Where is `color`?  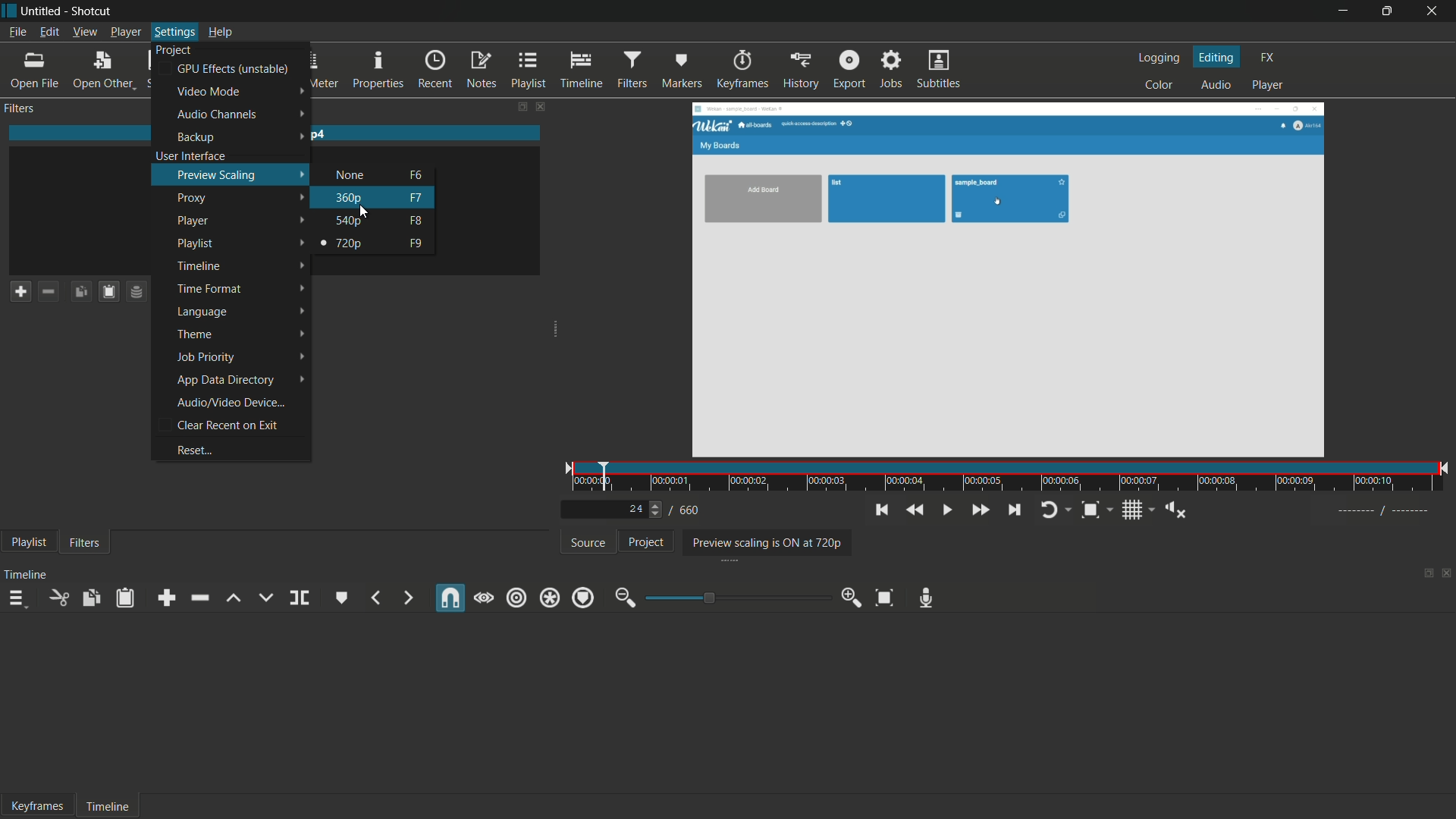
color is located at coordinates (1159, 86).